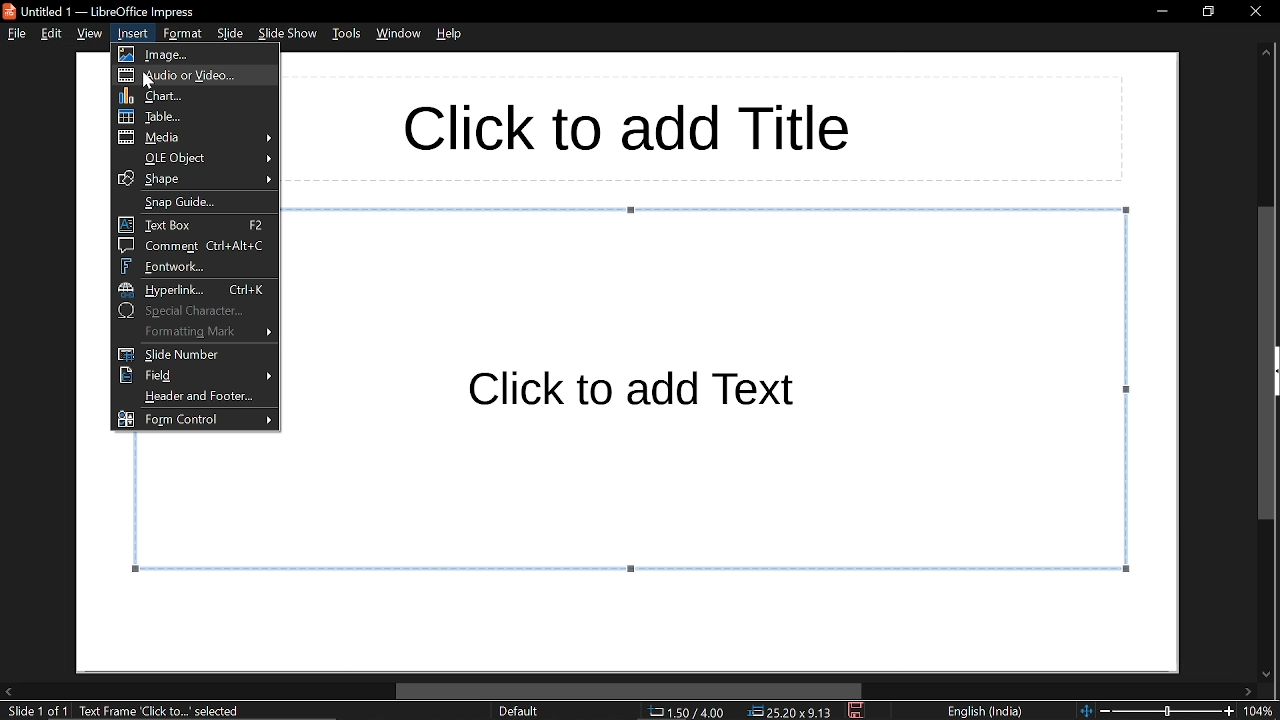 The height and width of the screenshot is (720, 1280). Describe the element at coordinates (401, 33) in the screenshot. I see `window` at that location.